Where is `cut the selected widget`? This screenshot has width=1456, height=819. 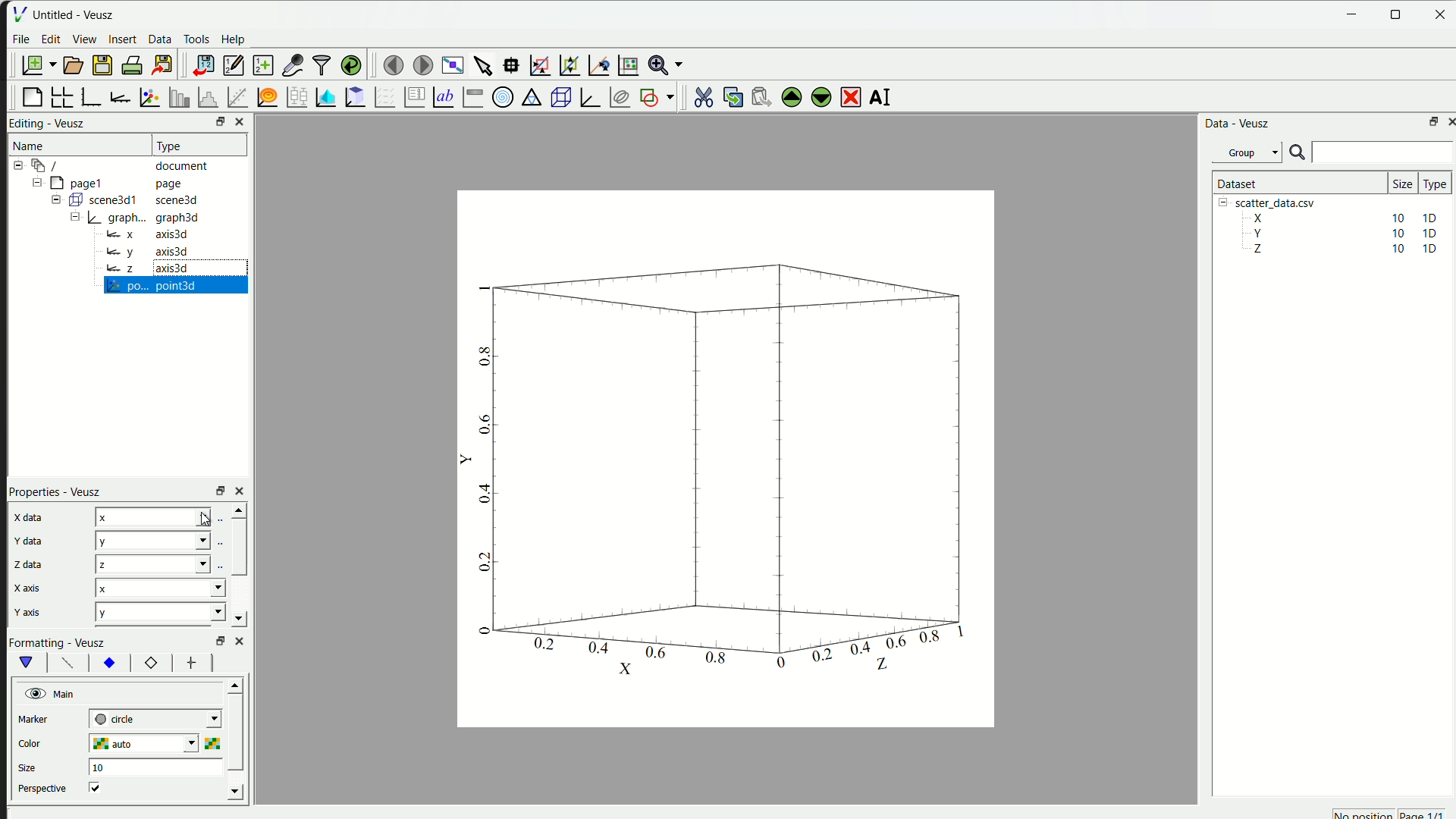 cut the selected widget is located at coordinates (701, 96).